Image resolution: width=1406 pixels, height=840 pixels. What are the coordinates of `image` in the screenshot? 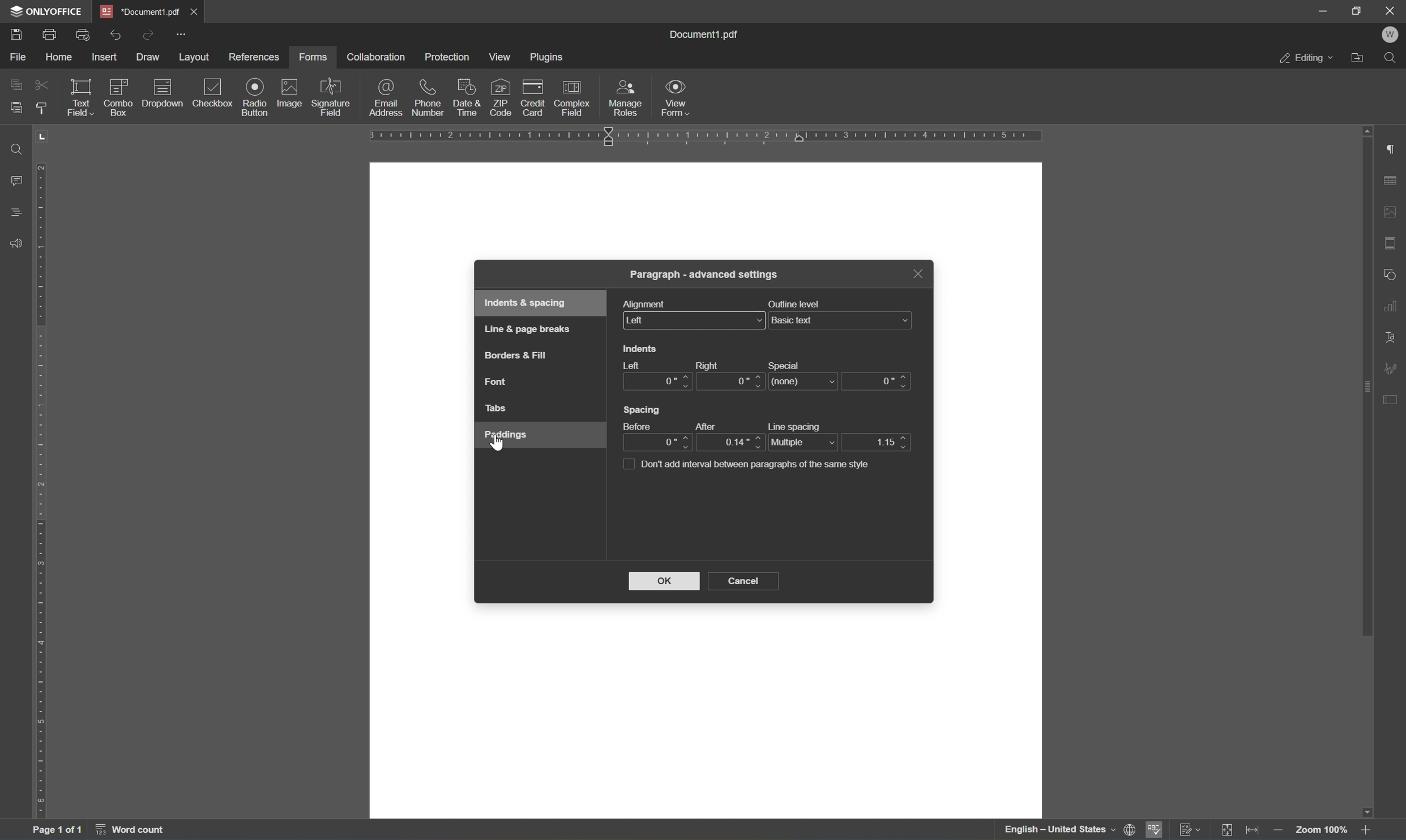 It's located at (290, 93).